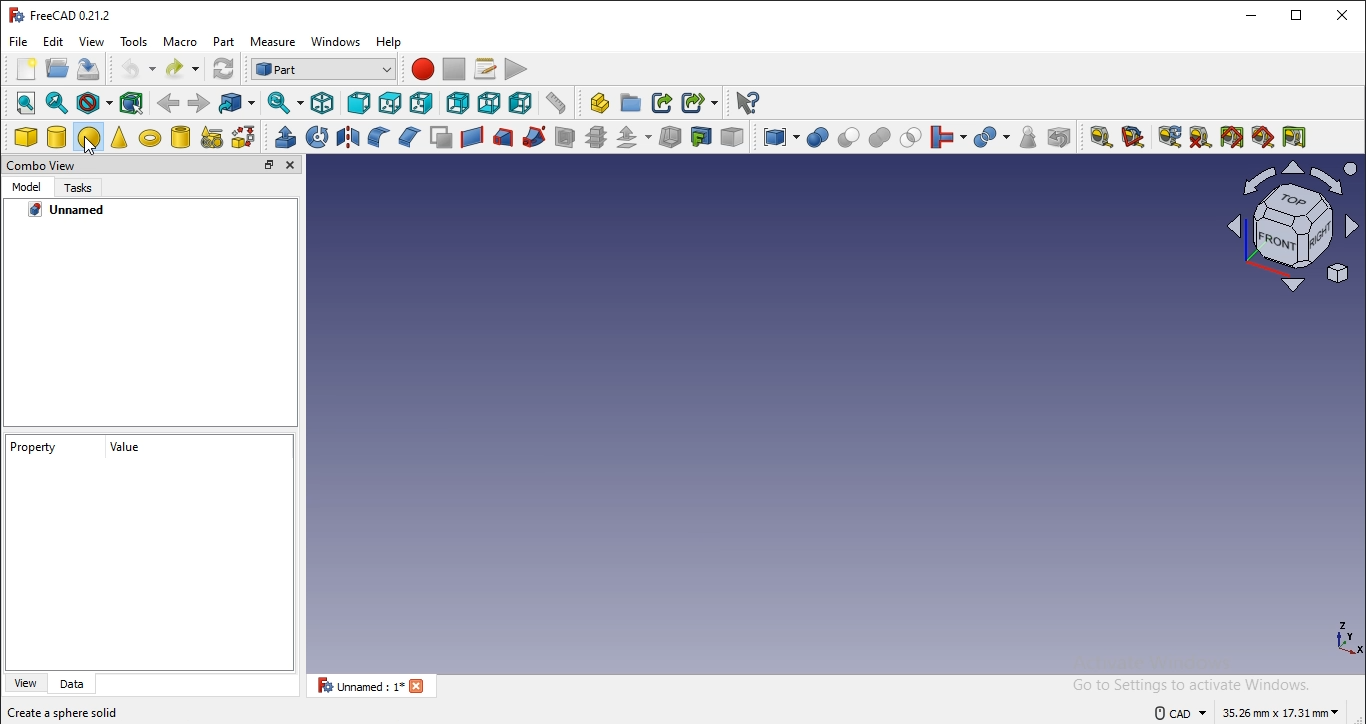  Describe the element at coordinates (280, 102) in the screenshot. I see `sync view` at that location.